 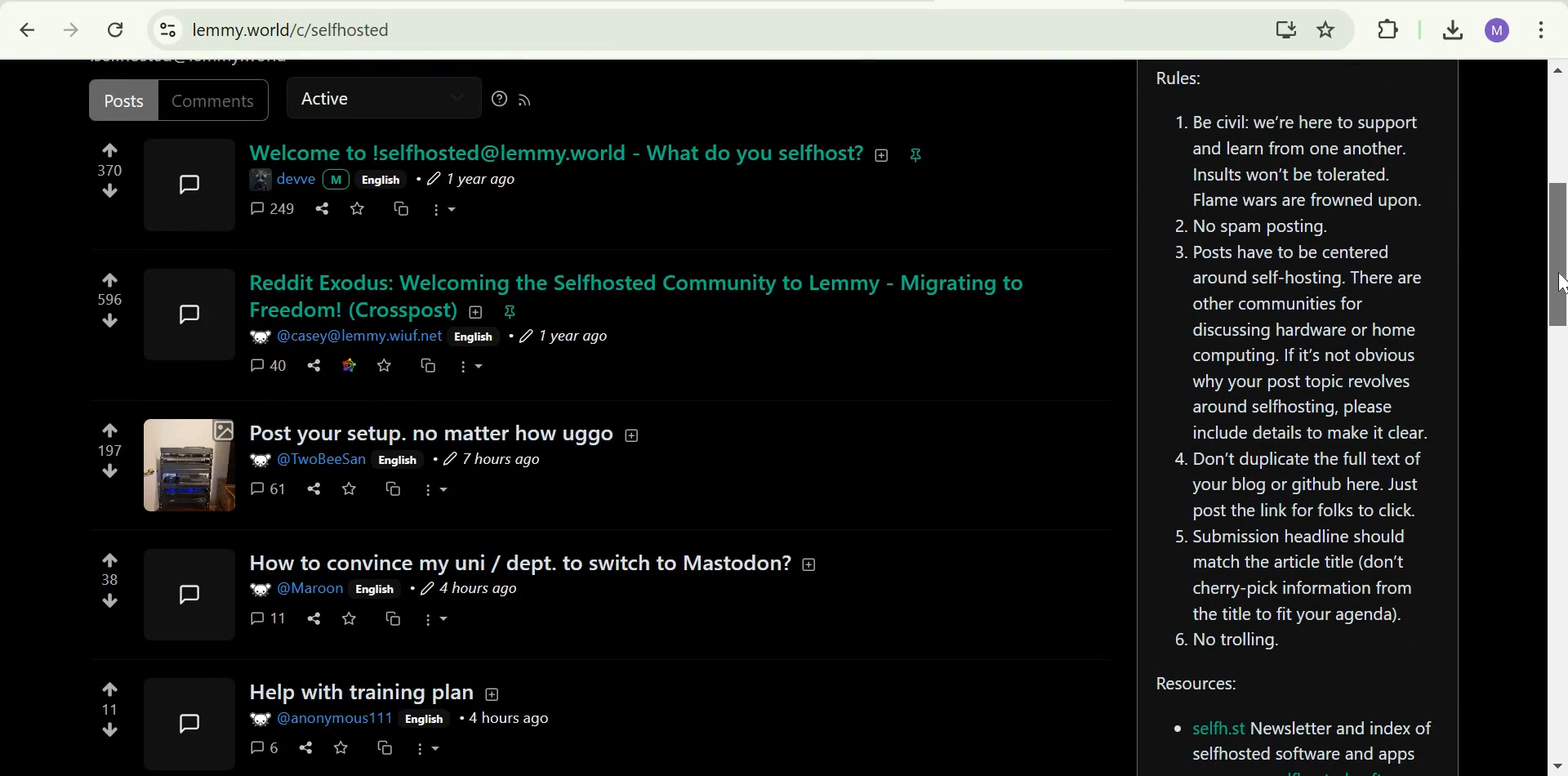 What do you see at coordinates (350, 488) in the screenshot?
I see `save` at bounding box center [350, 488].